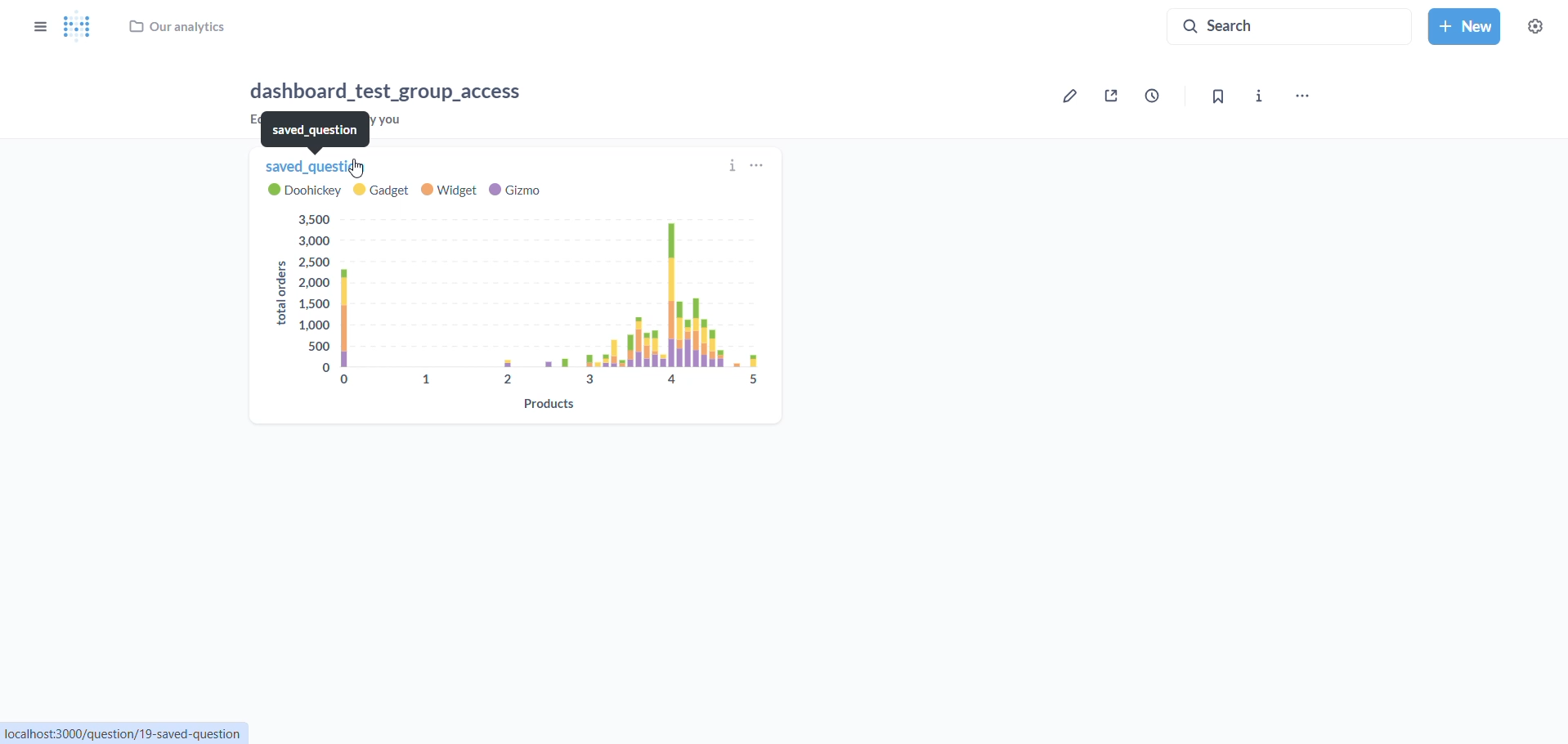 The image size is (1568, 744). Describe the element at coordinates (1286, 25) in the screenshot. I see `search` at that location.